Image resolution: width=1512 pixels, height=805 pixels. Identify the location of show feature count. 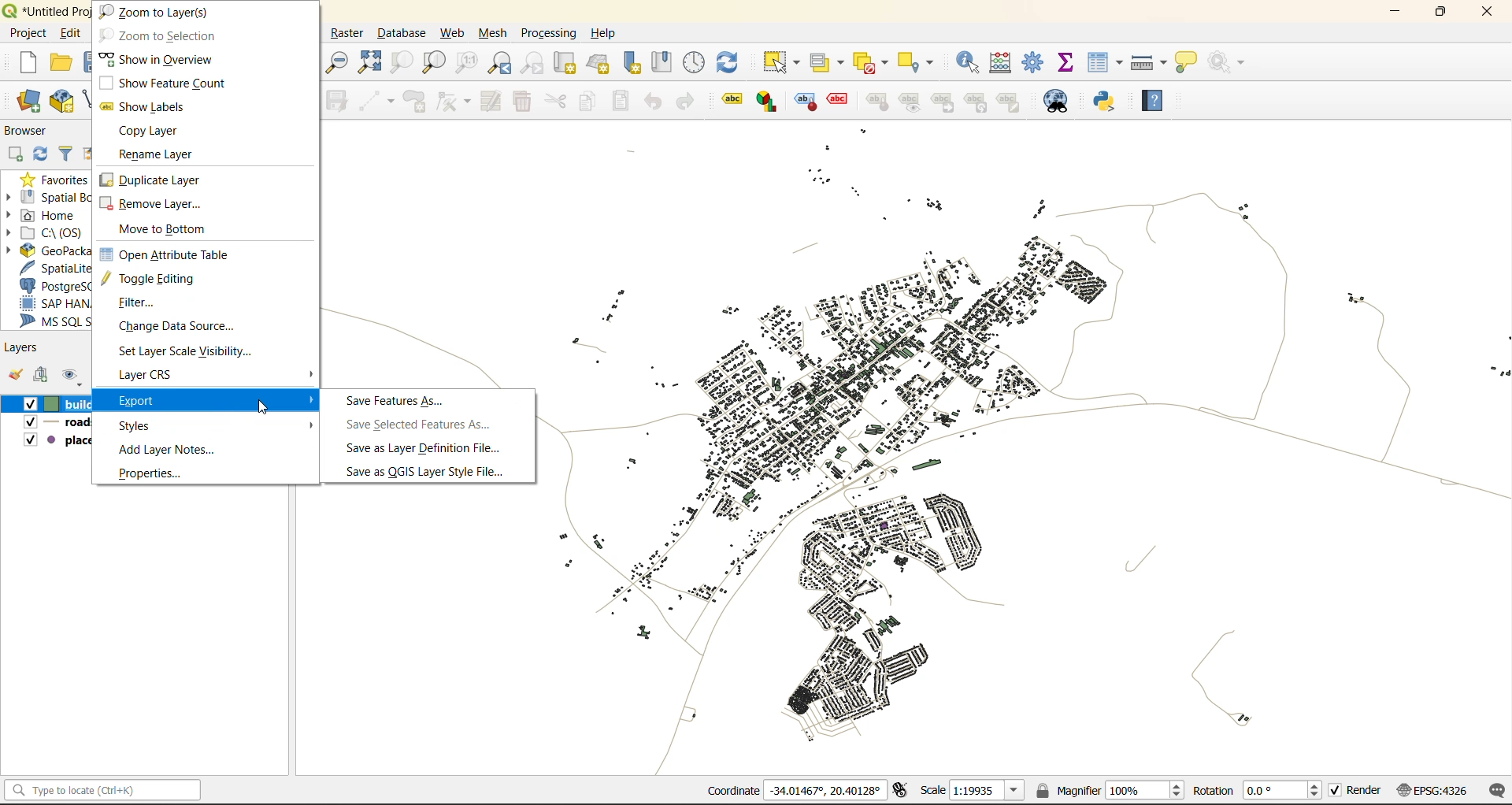
(172, 83).